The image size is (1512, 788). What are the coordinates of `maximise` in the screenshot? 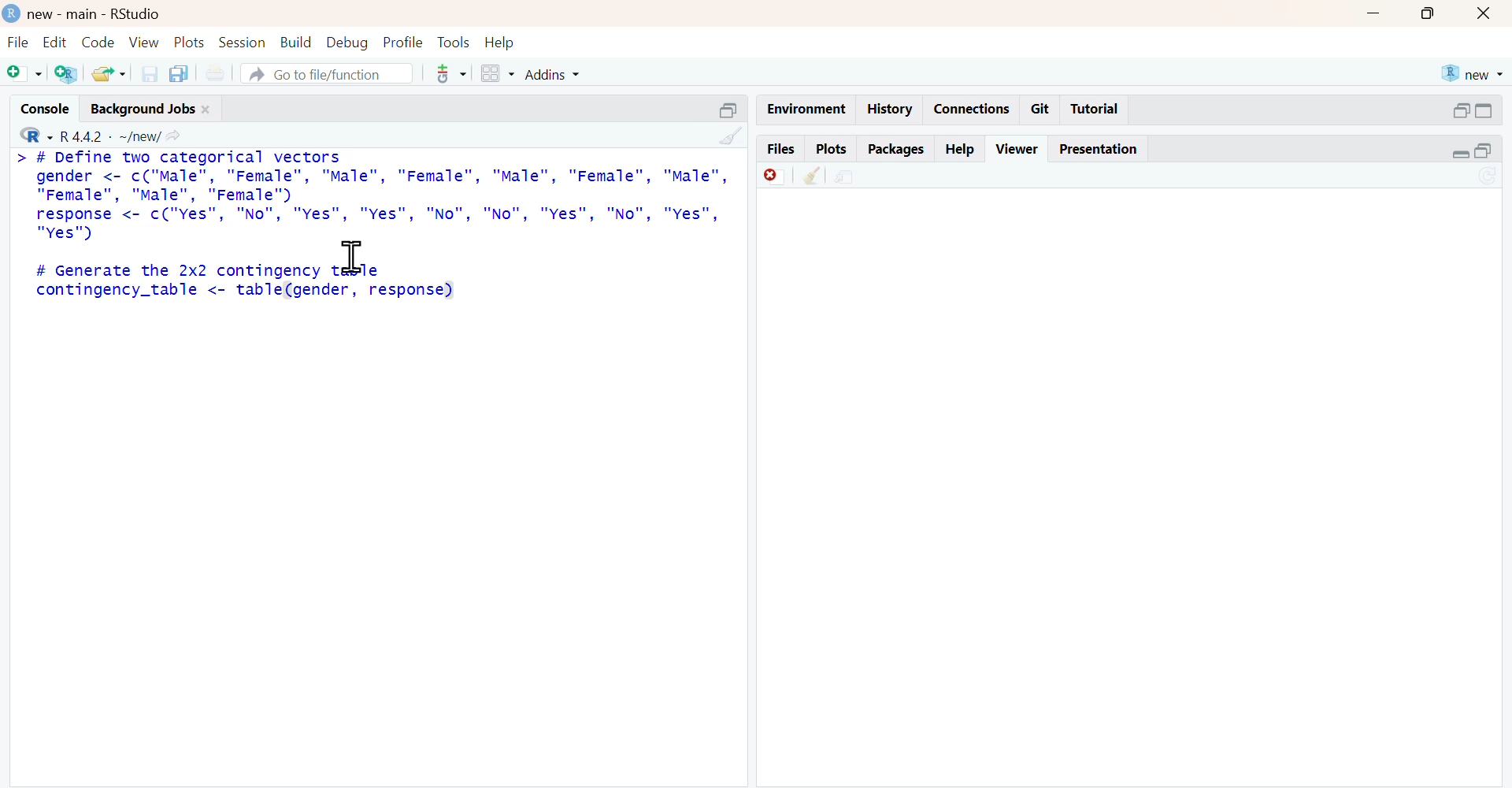 It's located at (1427, 15).